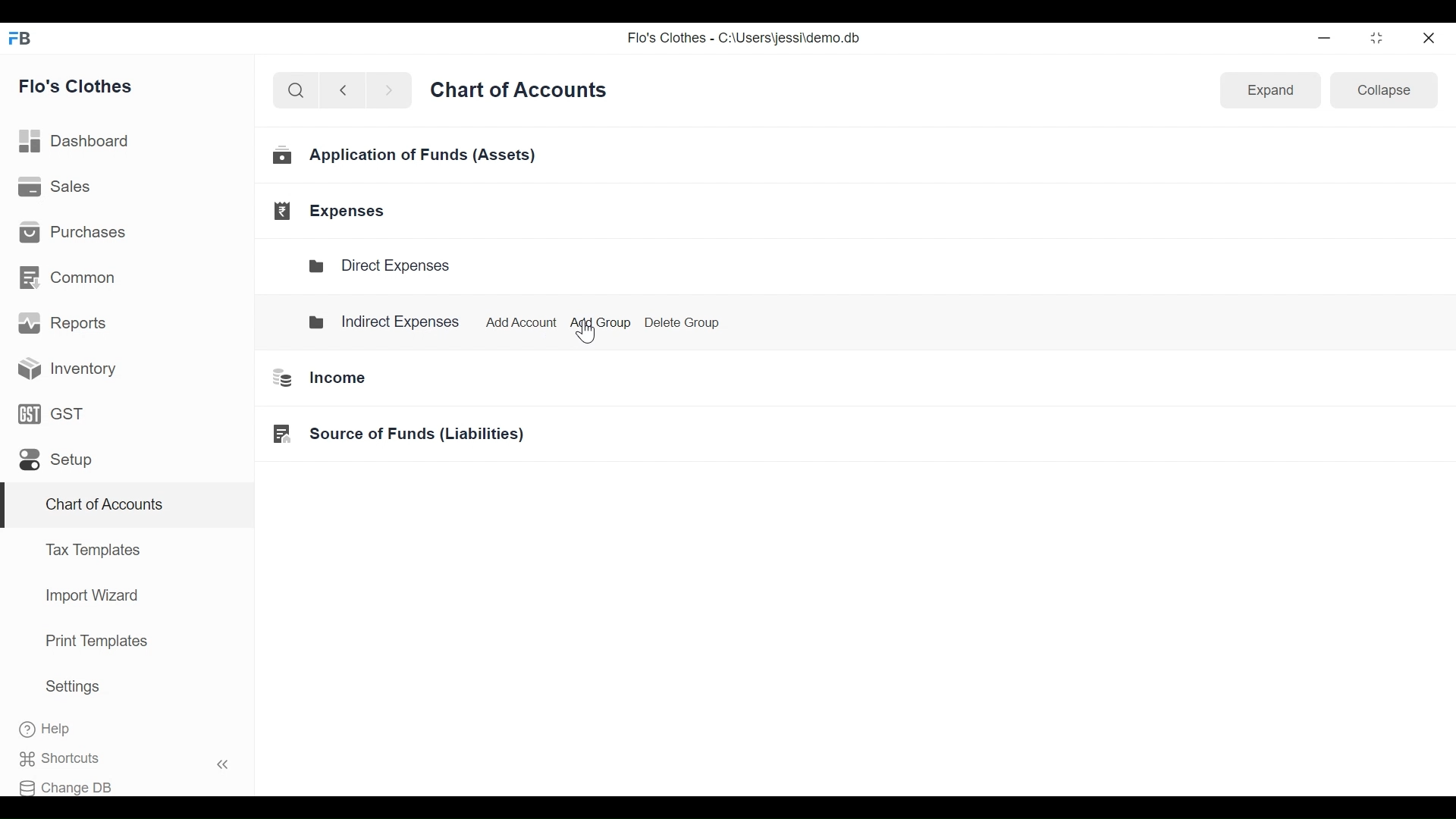 The image size is (1456, 819). What do you see at coordinates (74, 784) in the screenshot?
I see `Change DB` at bounding box center [74, 784].